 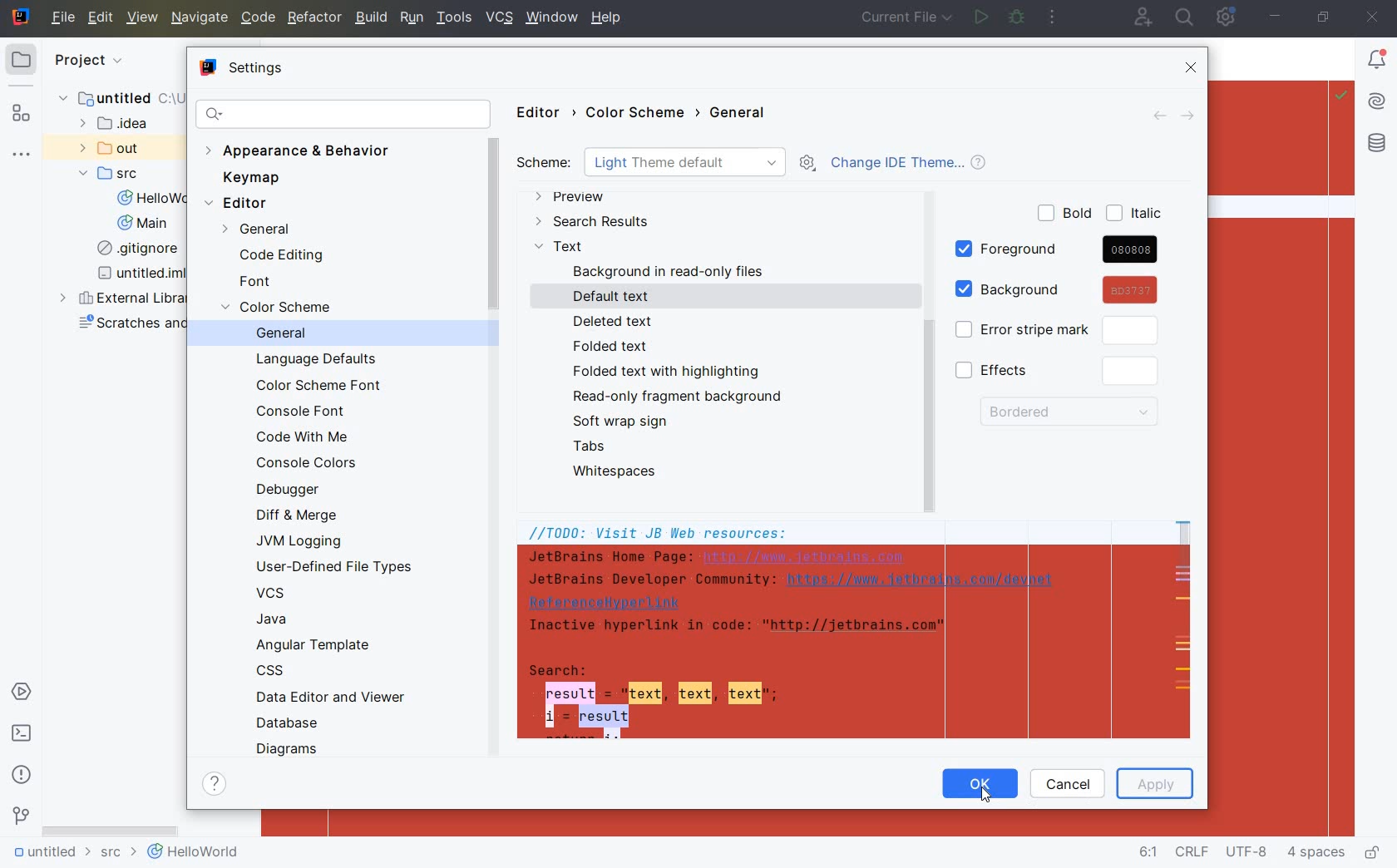 I want to click on CANCEL, so click(x=1069, y=784).